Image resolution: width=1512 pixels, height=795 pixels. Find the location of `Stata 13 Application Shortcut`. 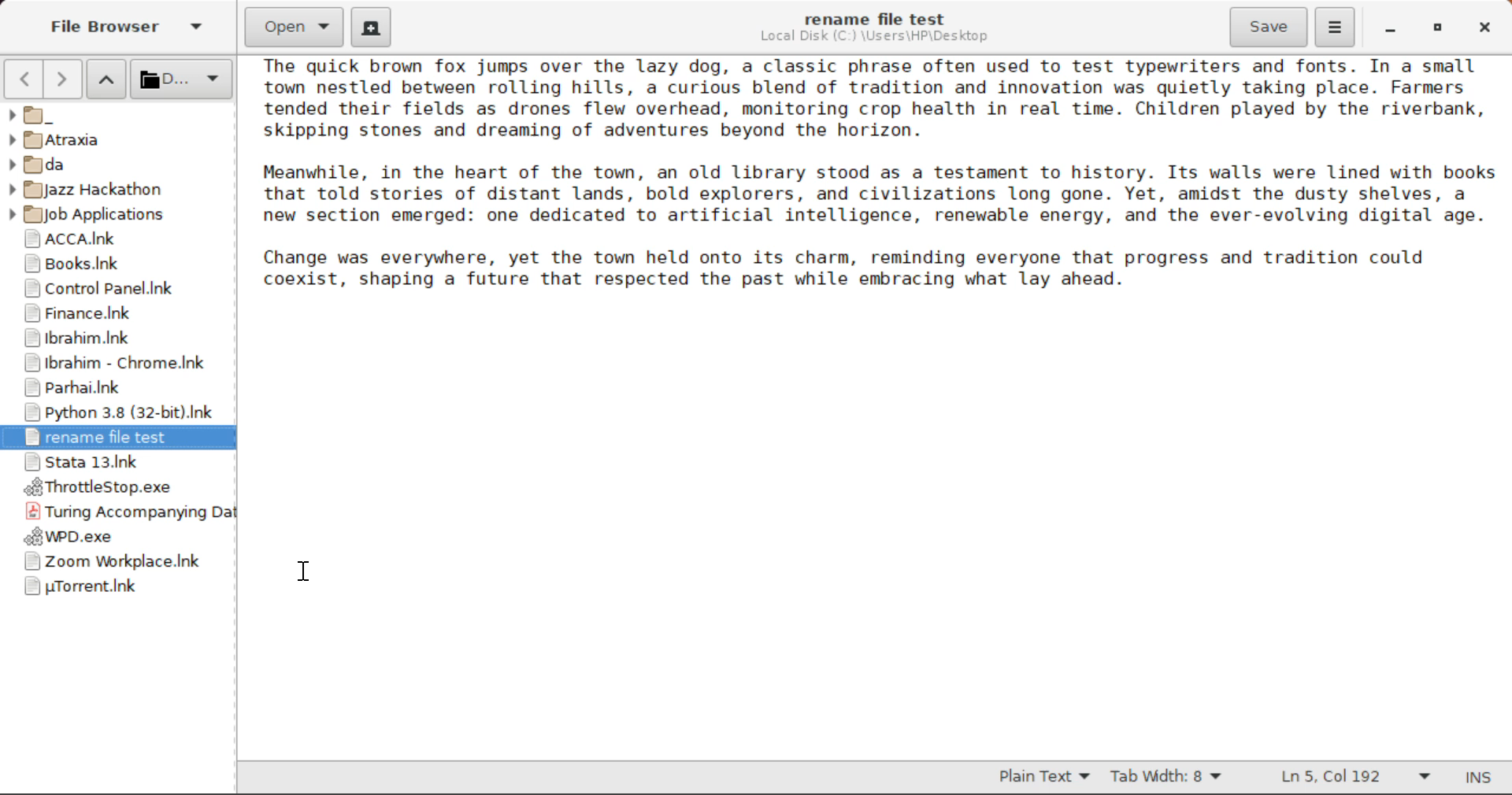

Stata 13 Application Shortcut is located at coordinates (117, 464).